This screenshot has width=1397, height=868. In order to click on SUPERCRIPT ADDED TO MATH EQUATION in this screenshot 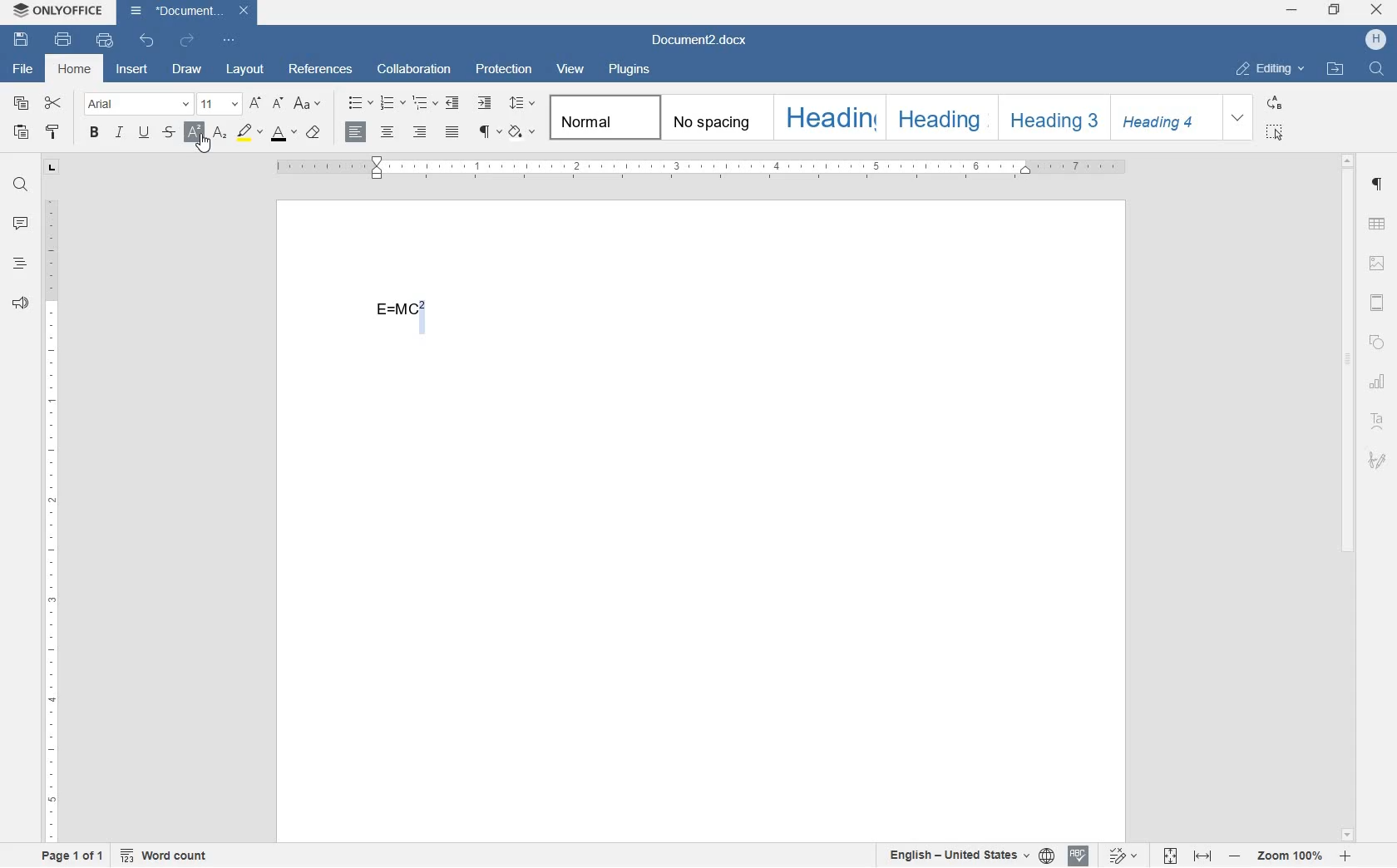, I will do `click(428, 301)`.